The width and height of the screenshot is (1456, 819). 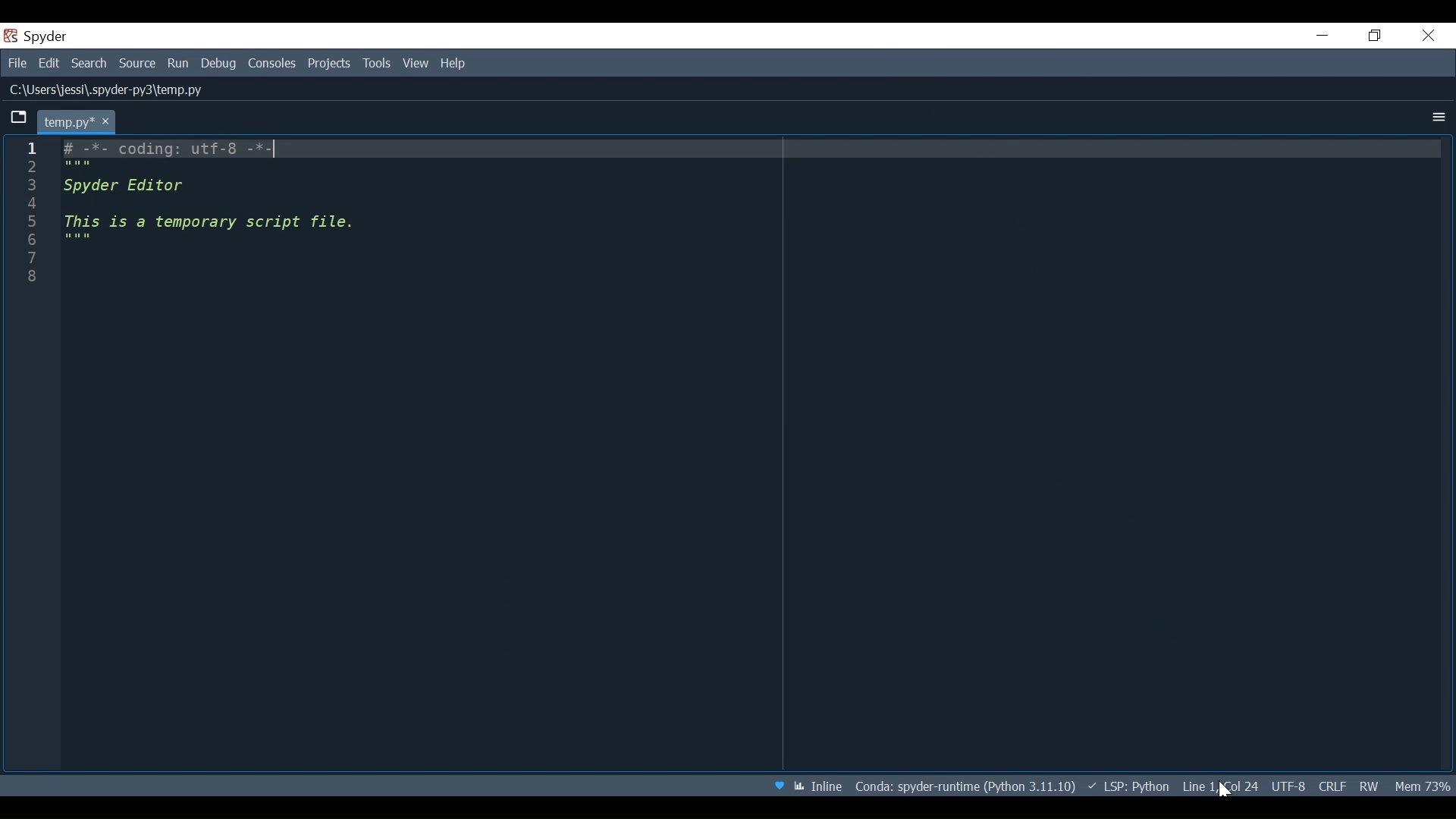 I want to click on File path, so click(x=963, y=786).